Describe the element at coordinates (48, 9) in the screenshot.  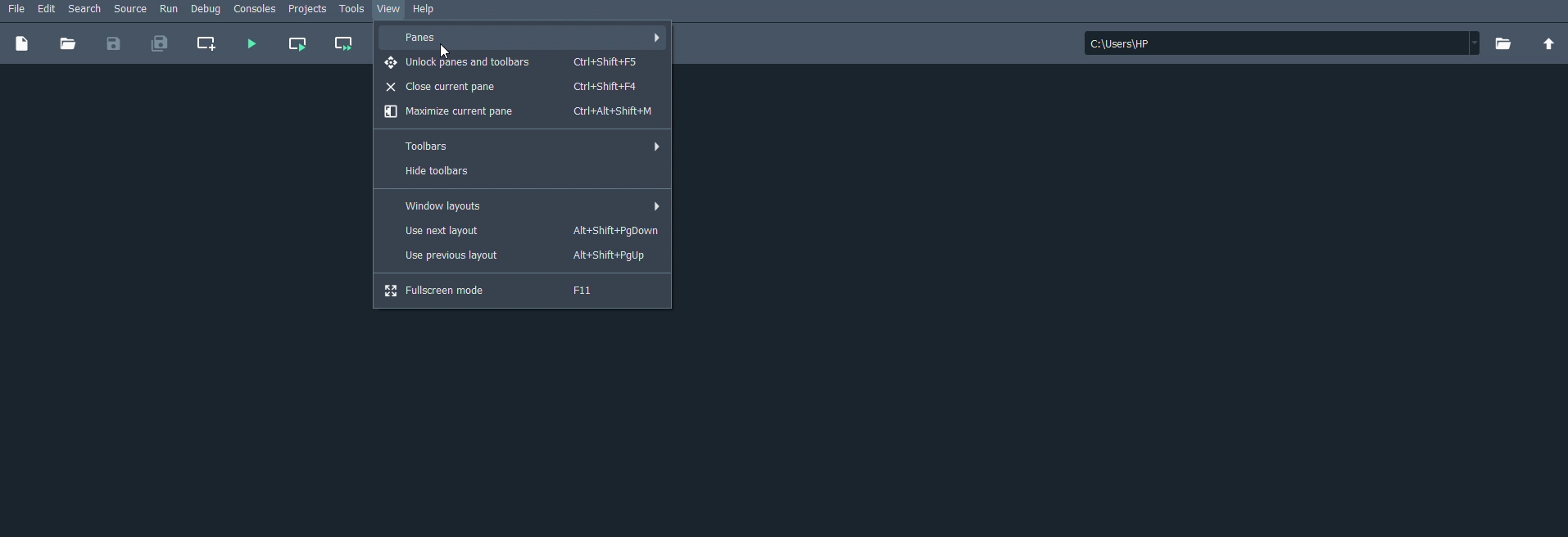
I see `Edit` at that location.